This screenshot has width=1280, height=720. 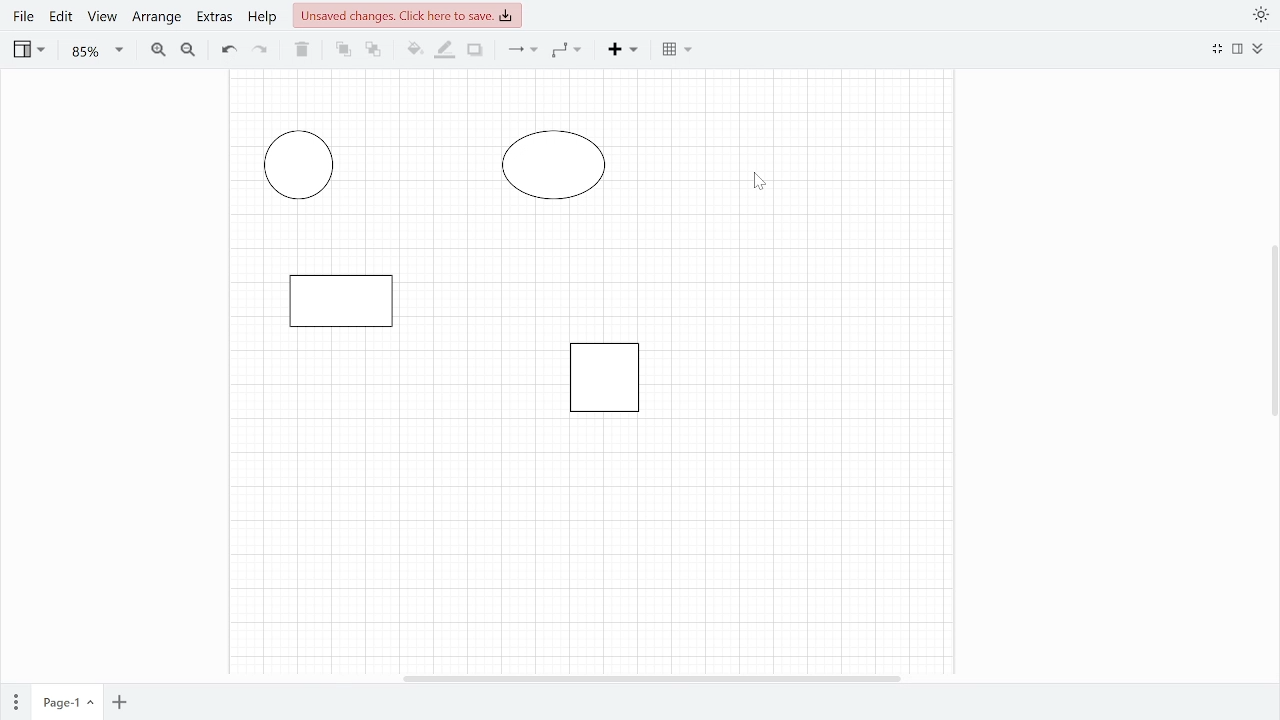 What do you see at coordinates (679, 50) in the screenshot?
I see `Table` at bounding box center [679, 50].